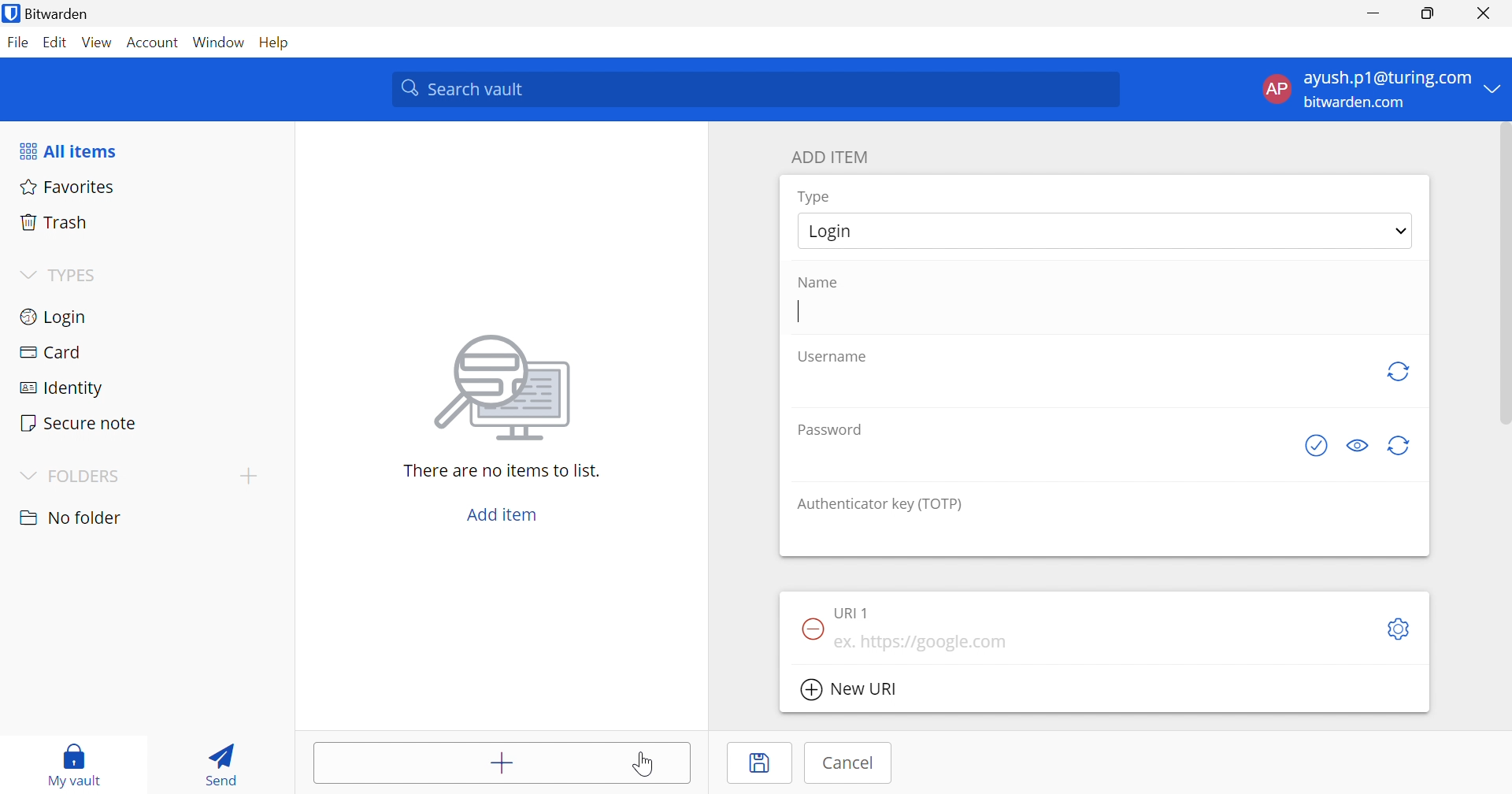 The width and height of the screenshot is (1512, 794). Describe the element at coordinates (57, 13) in the screenshot. I see `Bitwarden` at that location.